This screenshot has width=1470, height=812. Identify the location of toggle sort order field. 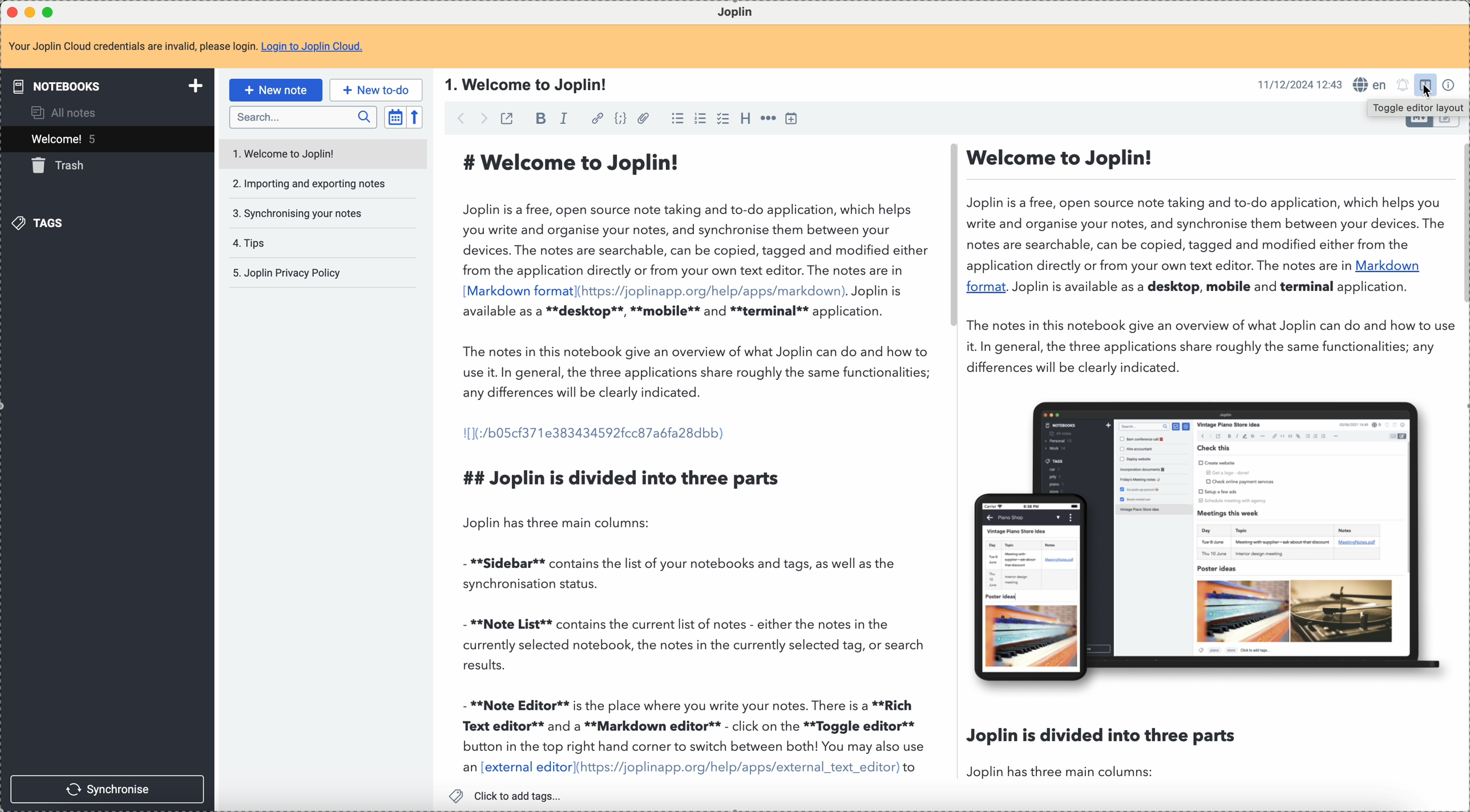
(395, 116).